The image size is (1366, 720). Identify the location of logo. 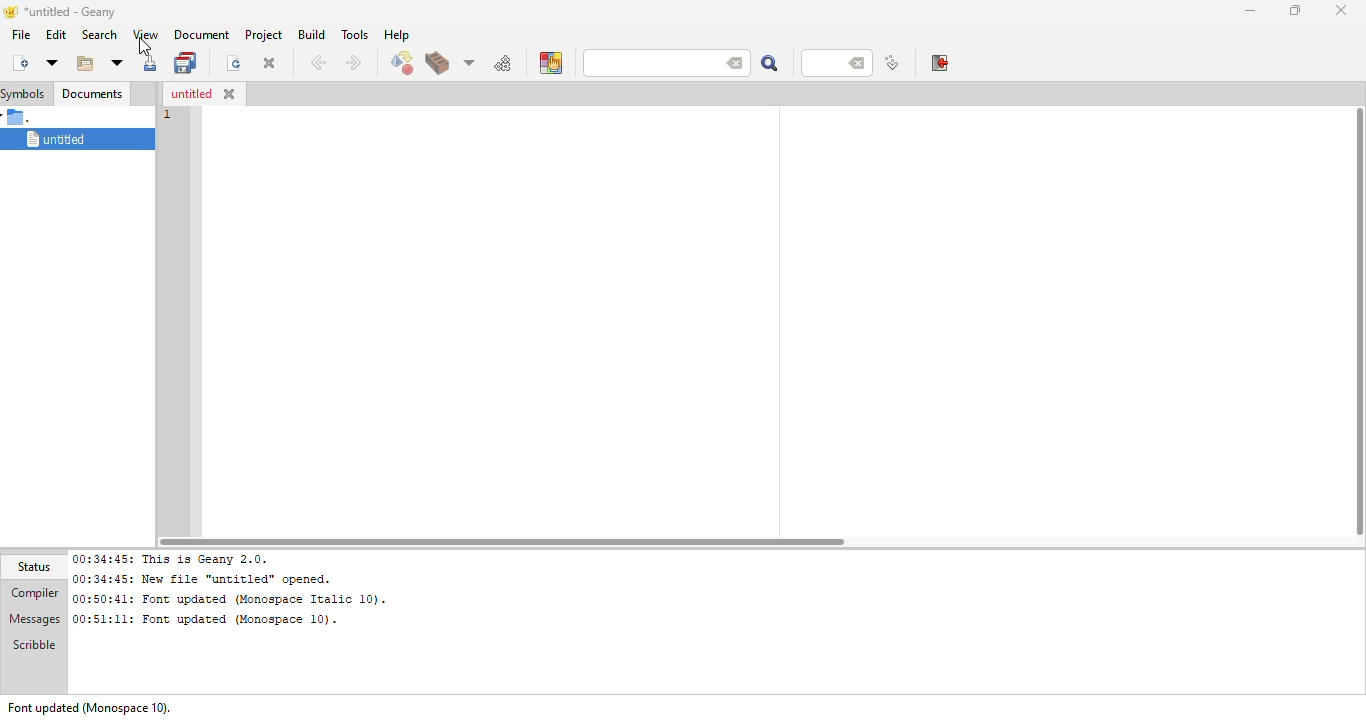
(9, 11).